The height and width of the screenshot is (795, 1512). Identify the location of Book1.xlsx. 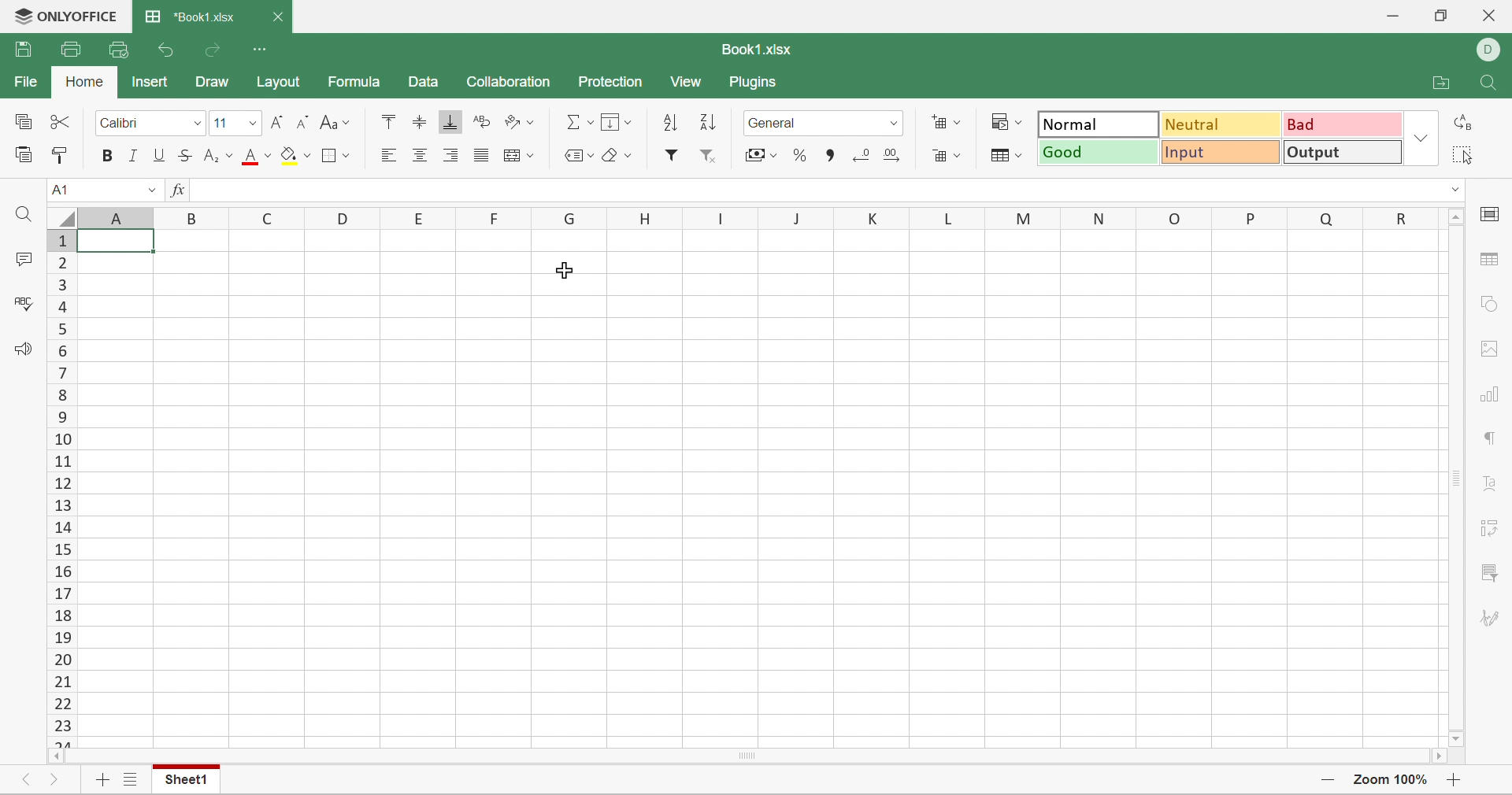
(756, 50).